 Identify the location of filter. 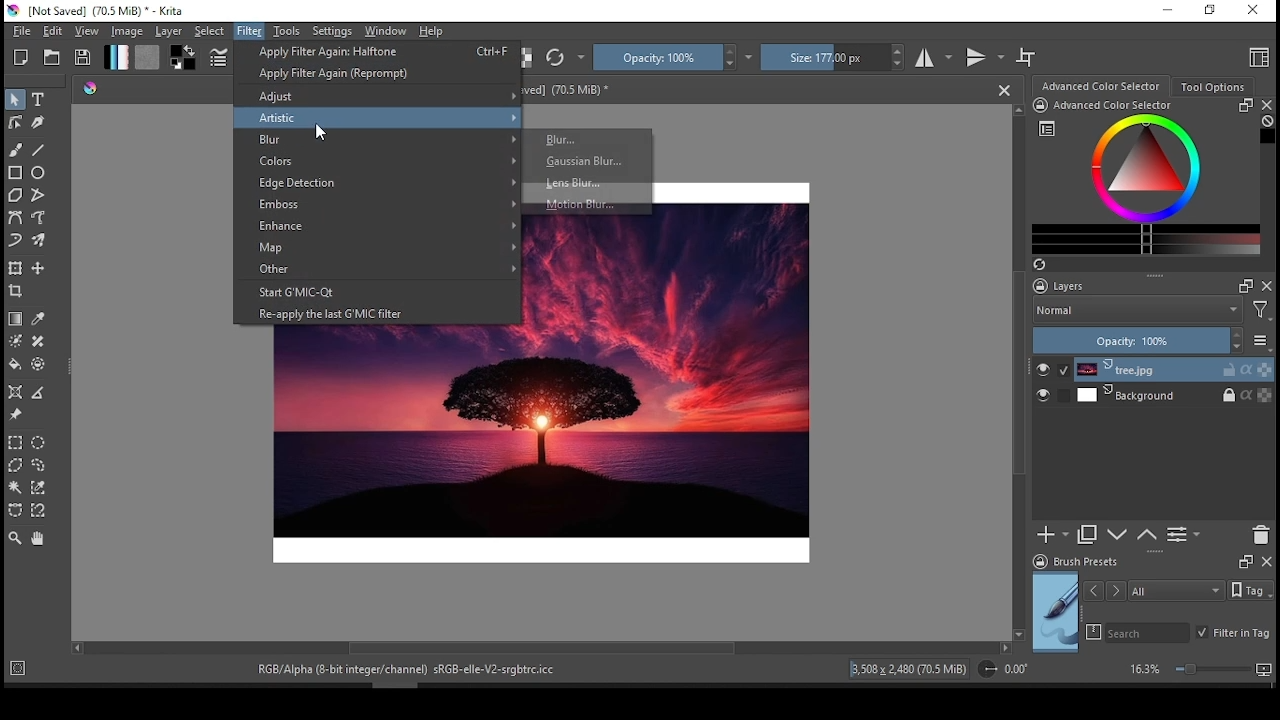
(250, 30).